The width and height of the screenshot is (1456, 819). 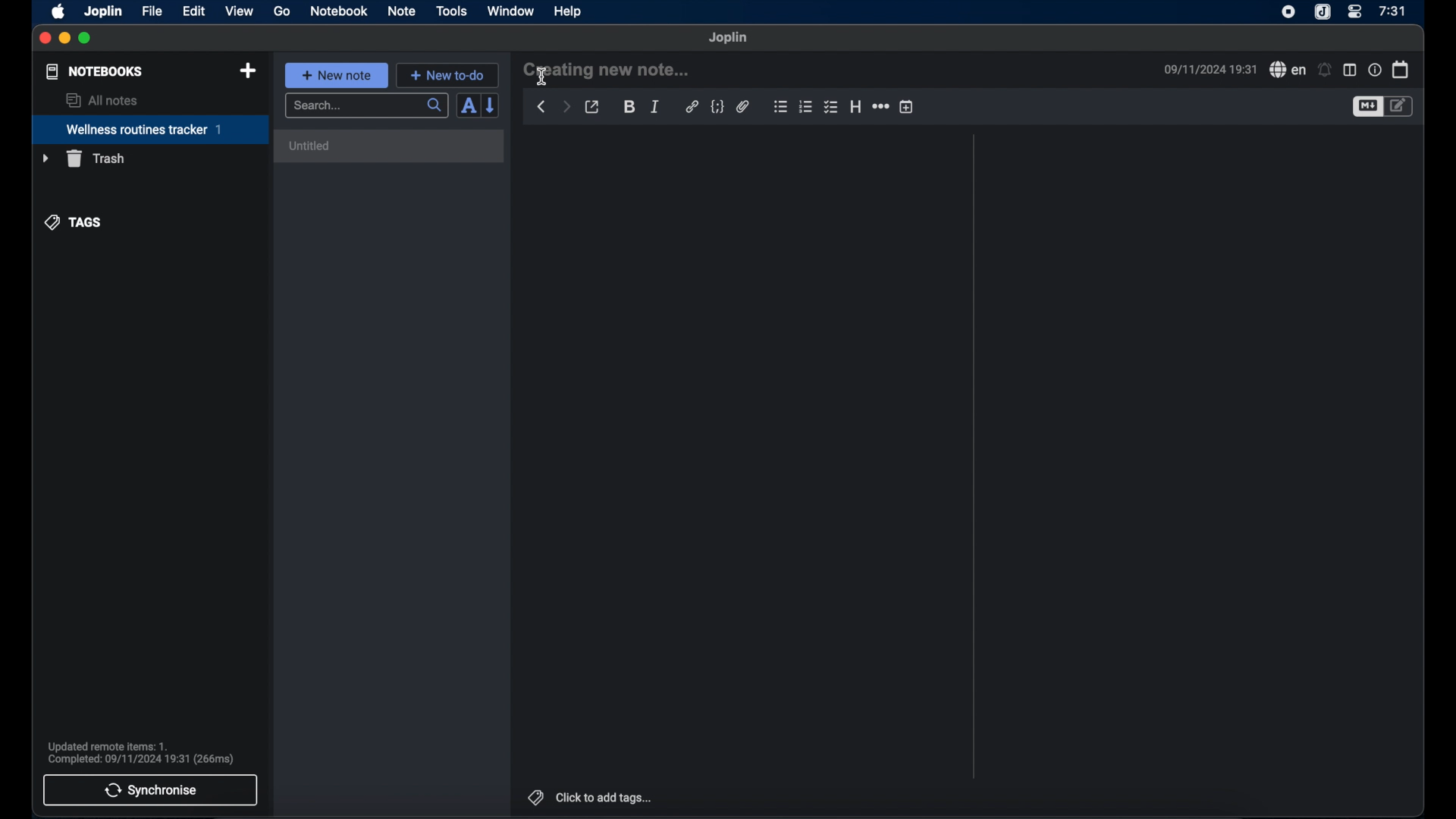 I want to click on toggle editor layout, so click(x=1349, y=70).